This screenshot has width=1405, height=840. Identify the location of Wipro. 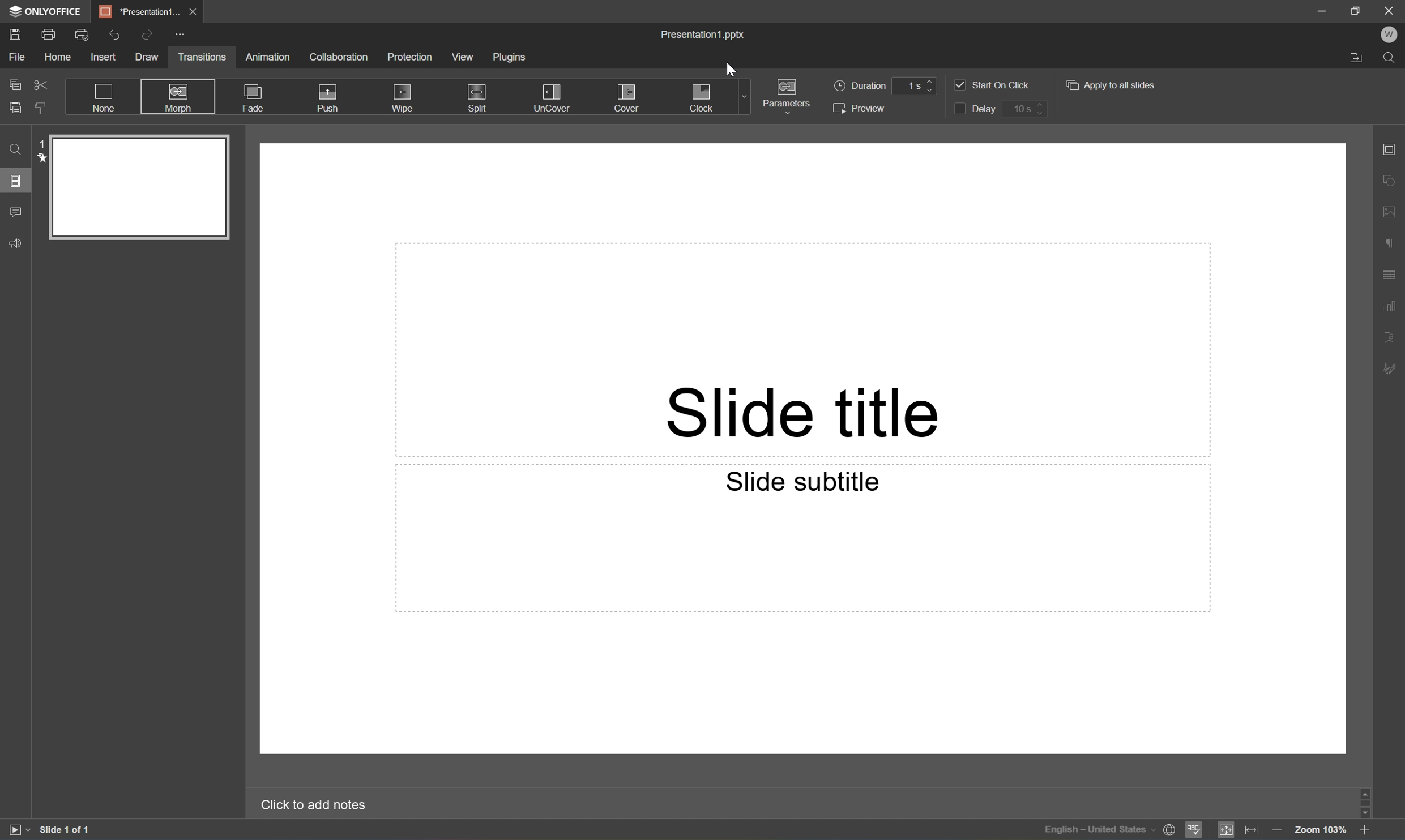
(403, 97).